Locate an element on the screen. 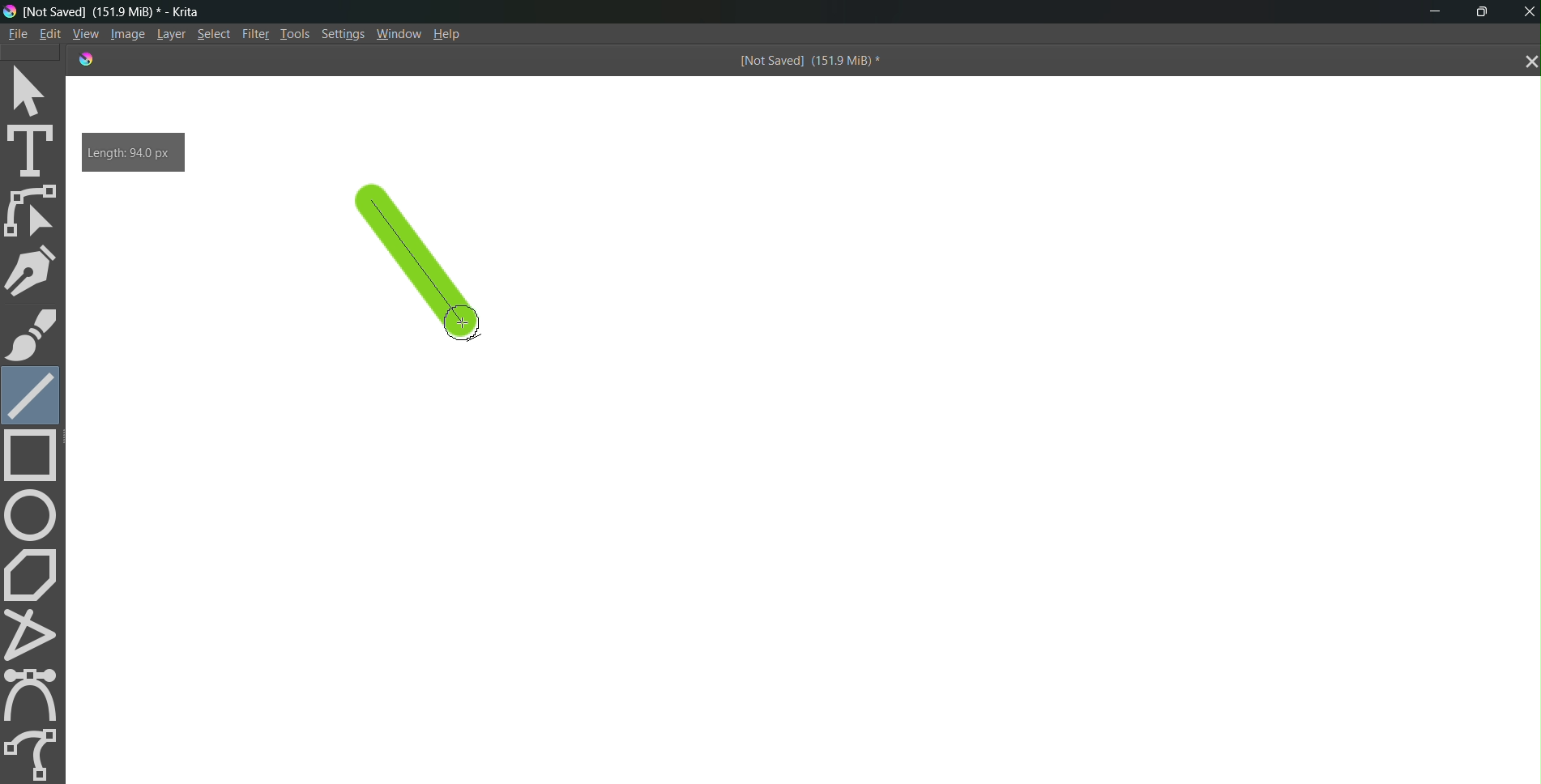 This screenshot has width=1541, height=784. select is located at coordinates (35, 89).